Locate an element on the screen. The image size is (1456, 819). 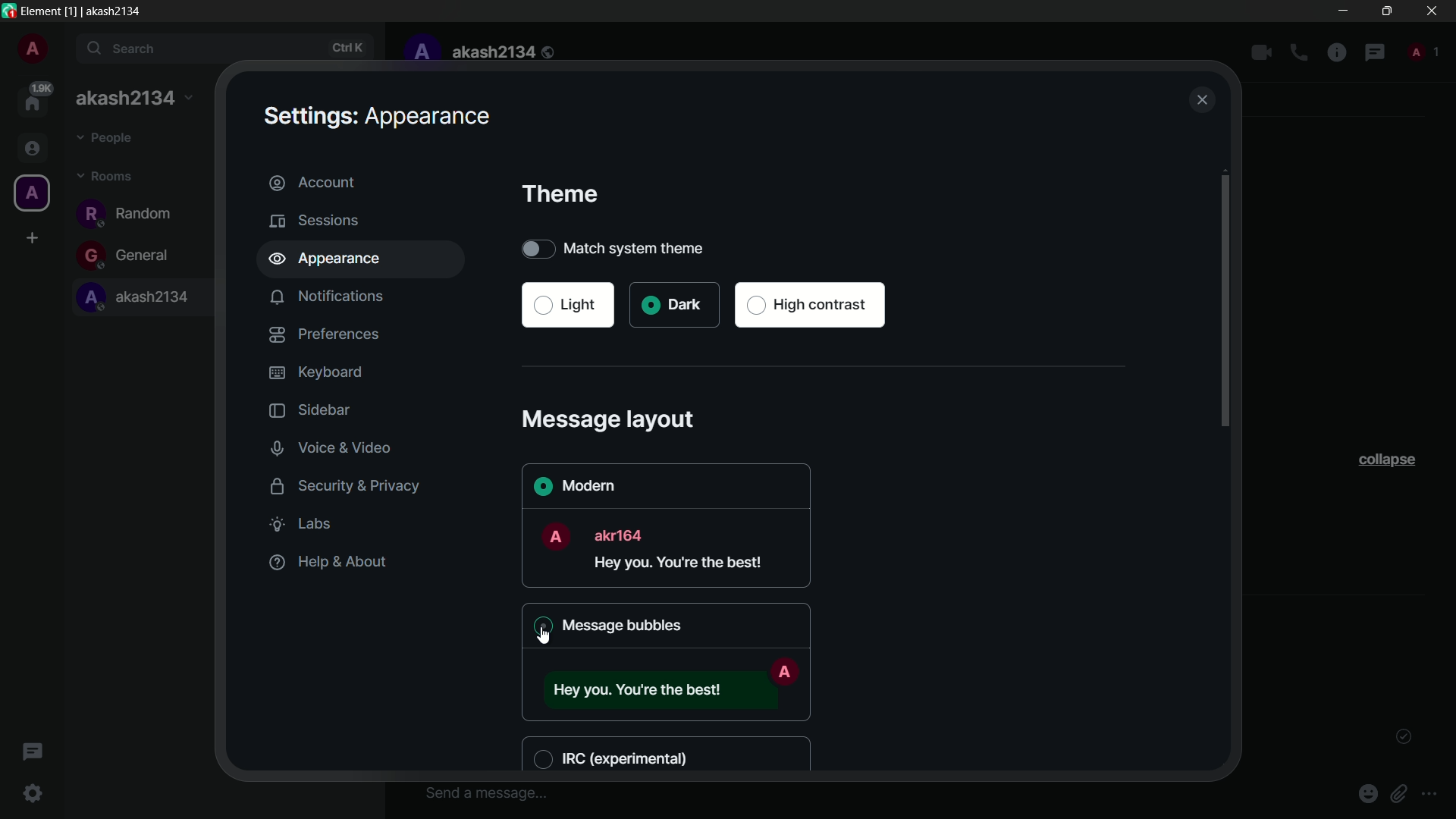
Hey you. You're the best! is located at coordinates (639, 689).